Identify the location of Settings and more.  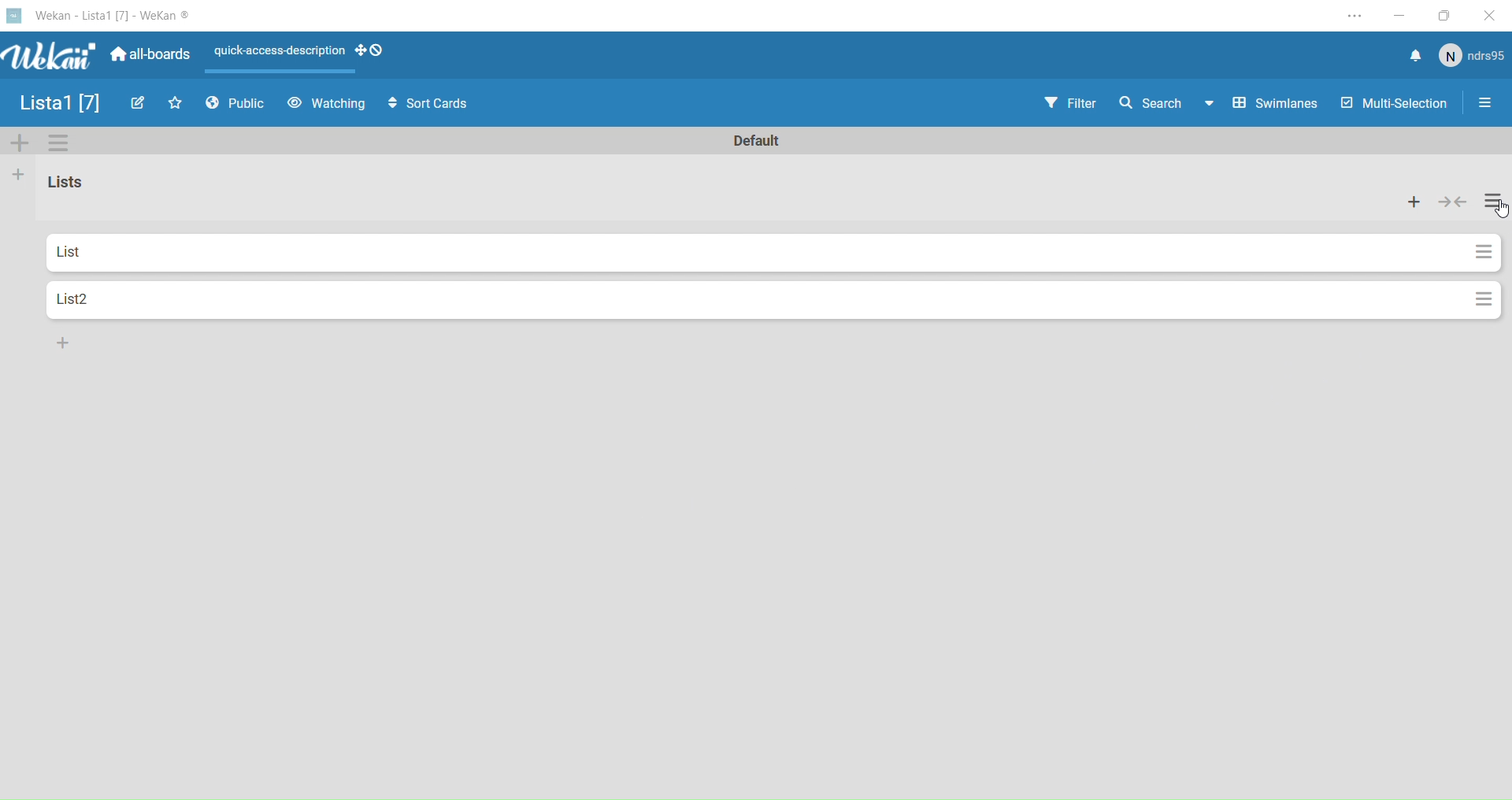
(1343, 17).